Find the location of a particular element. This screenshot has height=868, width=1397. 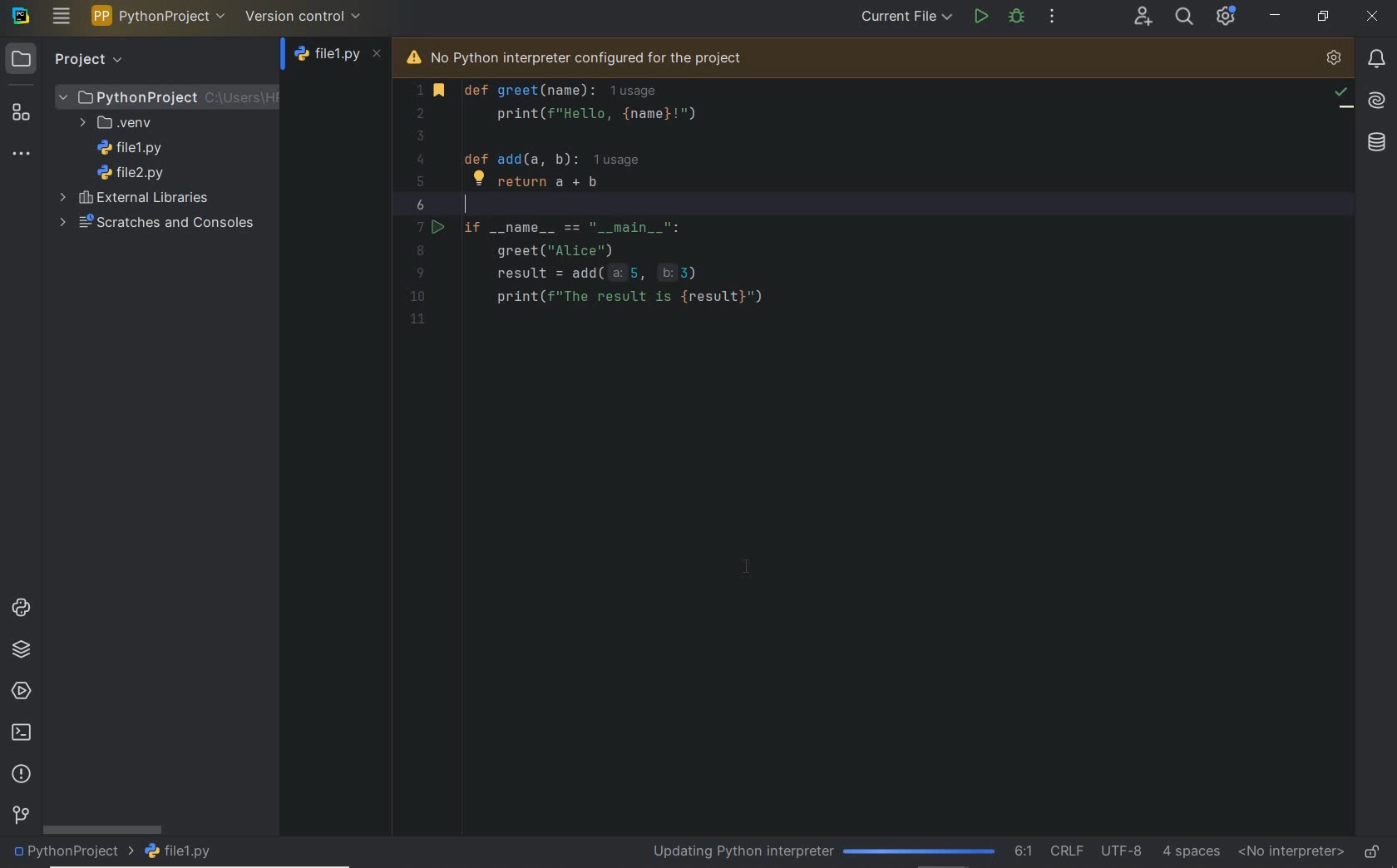

AI Assistant is located at coordinates (1375, 99).